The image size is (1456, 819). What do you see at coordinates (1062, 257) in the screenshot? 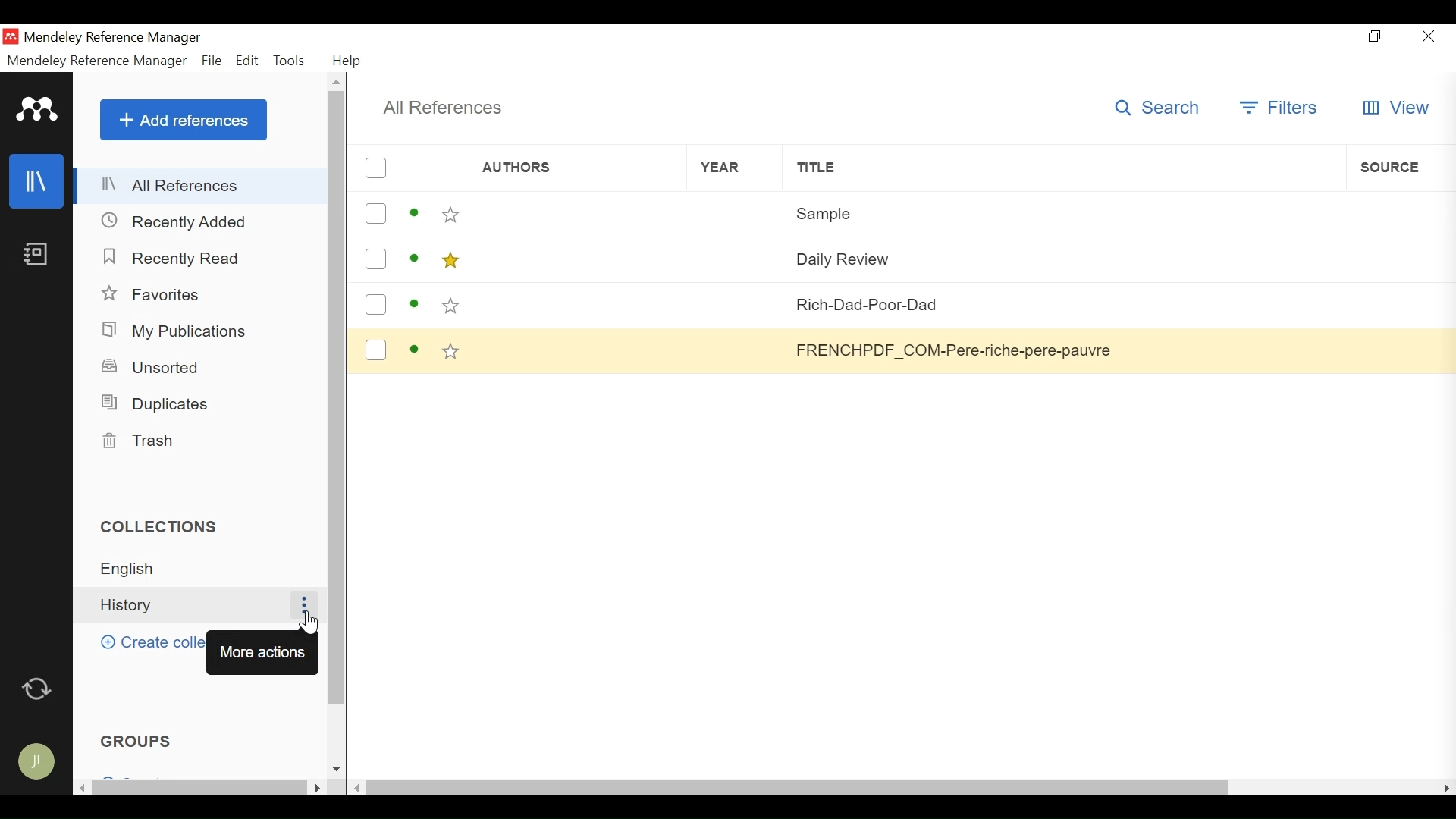
I see `Daily Review` at bounding box center [1062, 257].